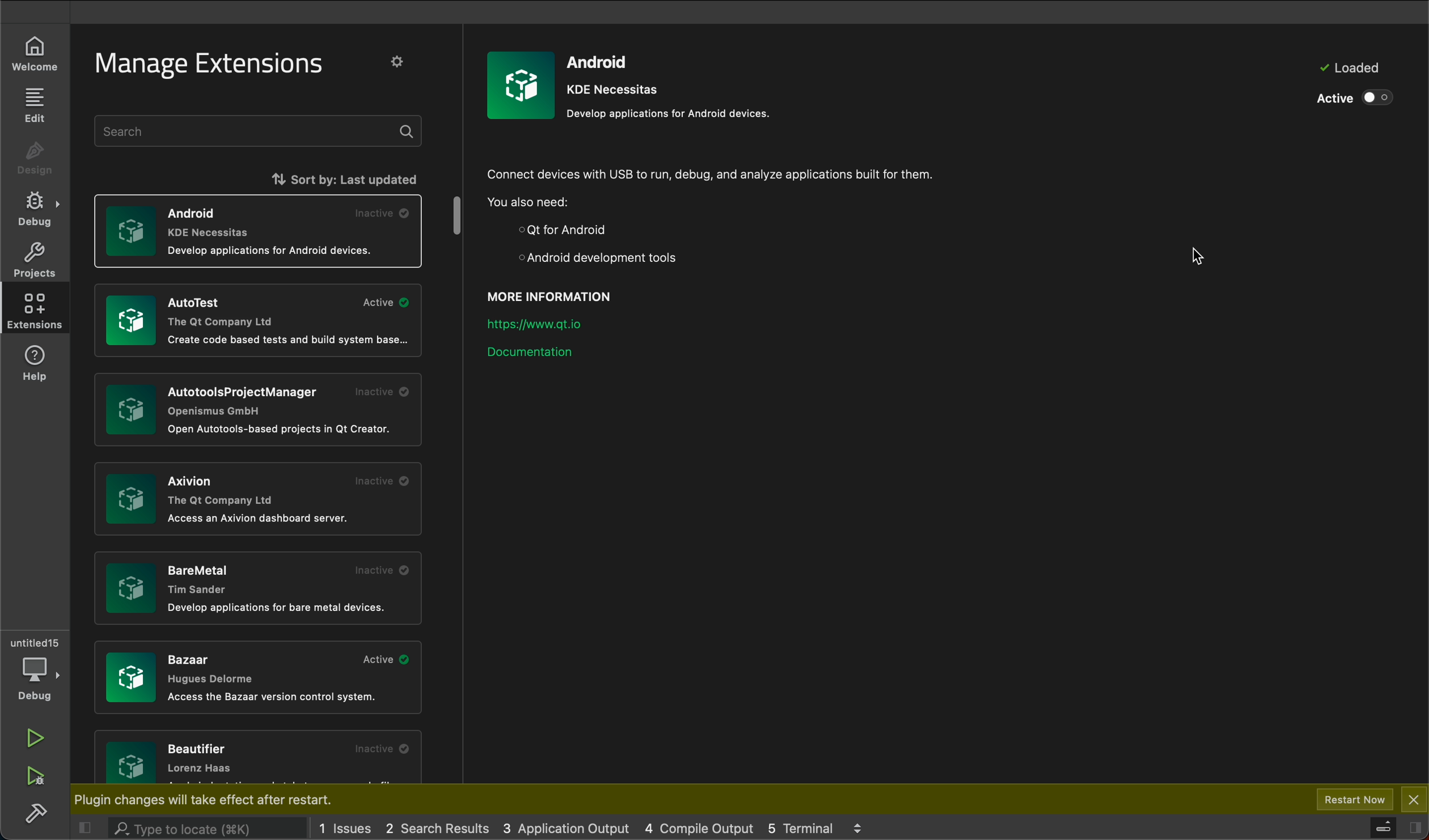 The image size is (1429, 840). What do you see at coordinates (1349, 99) in the screenshot?
I see `deactivated ` at bounding box center [1349, 99].